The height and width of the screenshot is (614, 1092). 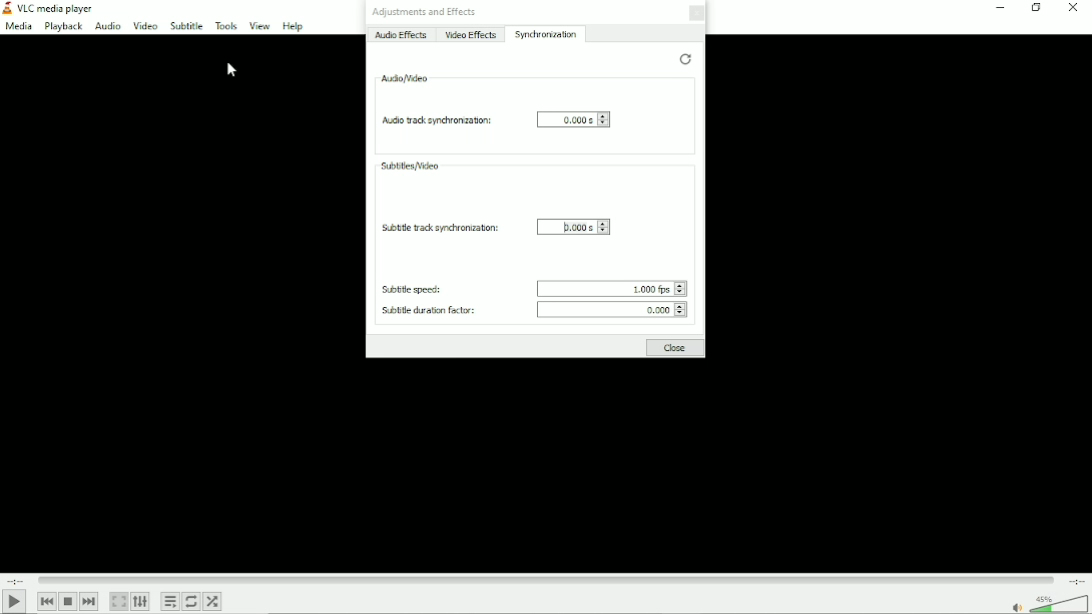 I want to click on Audio/video, so click(x=406, y=78).